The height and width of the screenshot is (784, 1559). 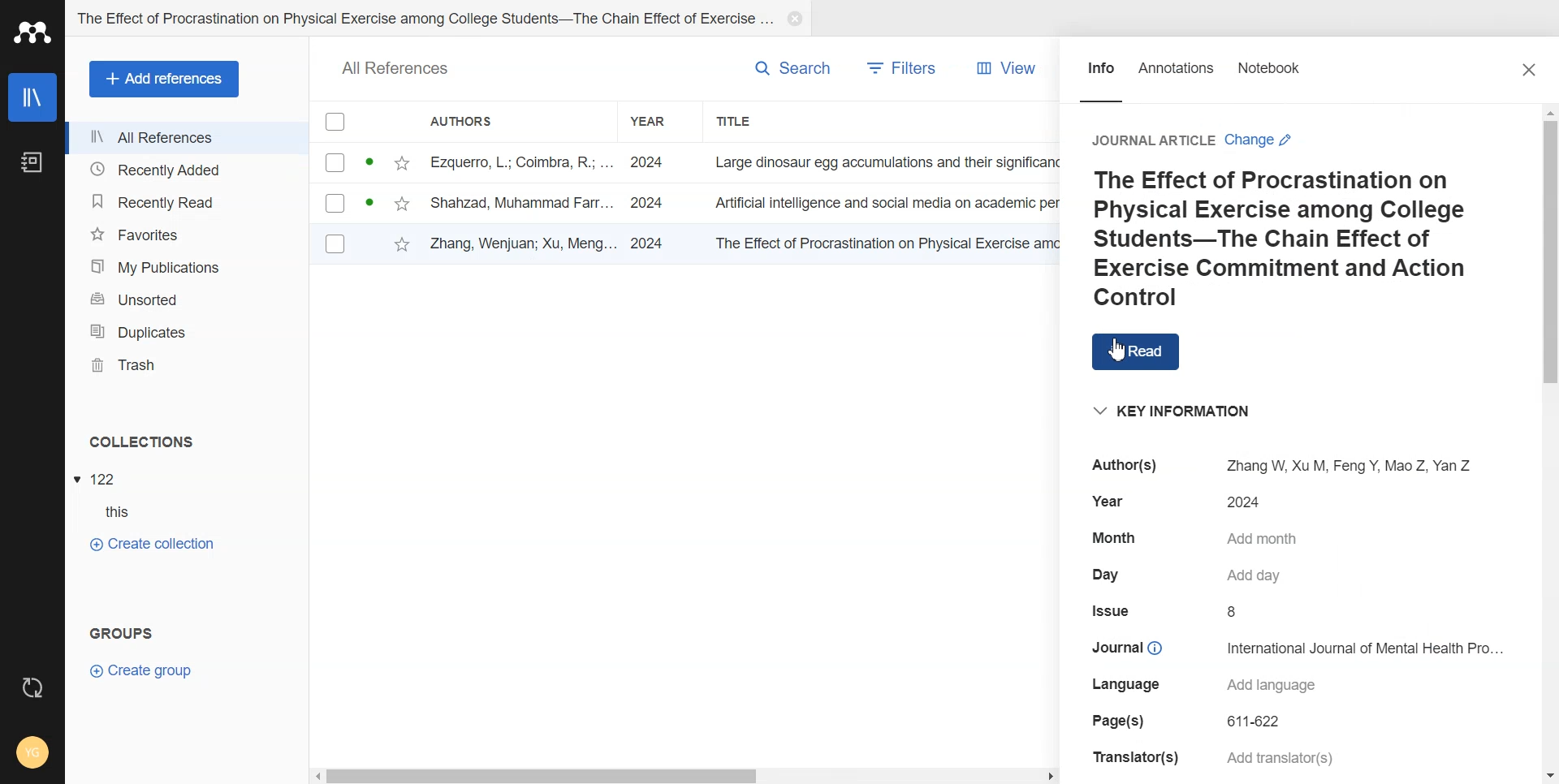 What do you see at coordinates (142, 672) in the screenshot?
I see `Create Group` at bounding box center [142, 672].